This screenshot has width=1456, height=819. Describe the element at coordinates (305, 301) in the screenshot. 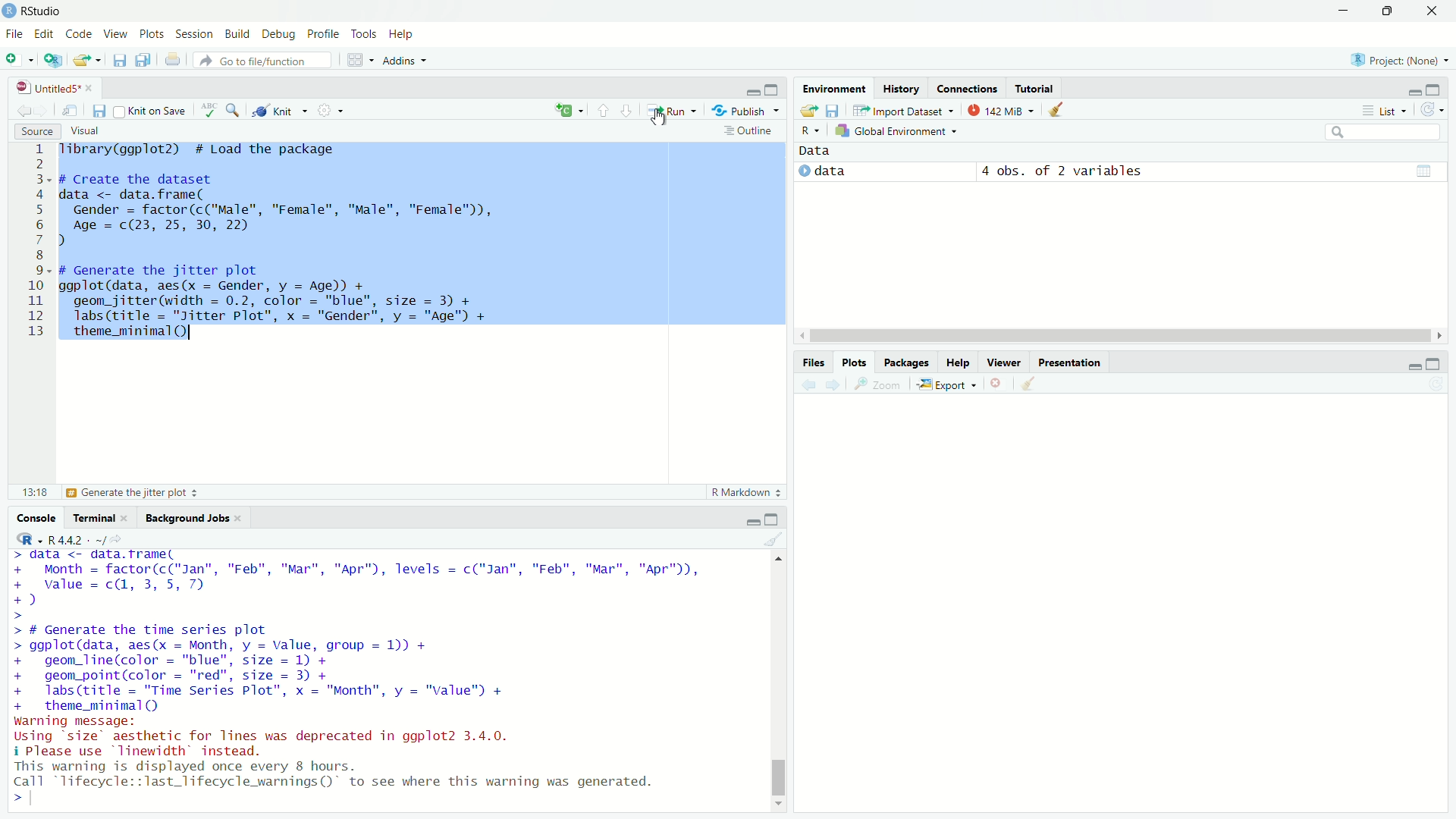

I see `code to generate the jitter plot` at that location.